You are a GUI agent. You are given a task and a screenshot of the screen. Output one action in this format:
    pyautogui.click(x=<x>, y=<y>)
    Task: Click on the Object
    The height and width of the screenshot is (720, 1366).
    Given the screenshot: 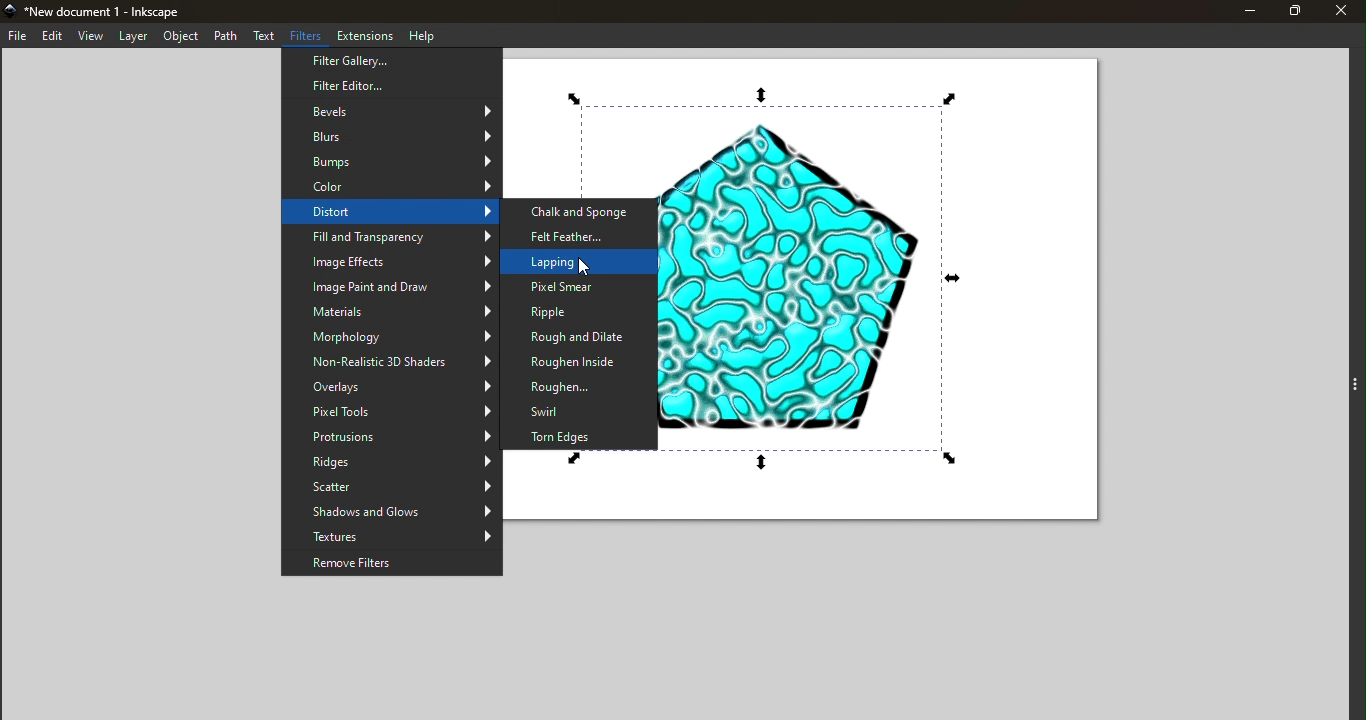 What is the action you would take?
    pyautogui.click(x=178, y=36)
    